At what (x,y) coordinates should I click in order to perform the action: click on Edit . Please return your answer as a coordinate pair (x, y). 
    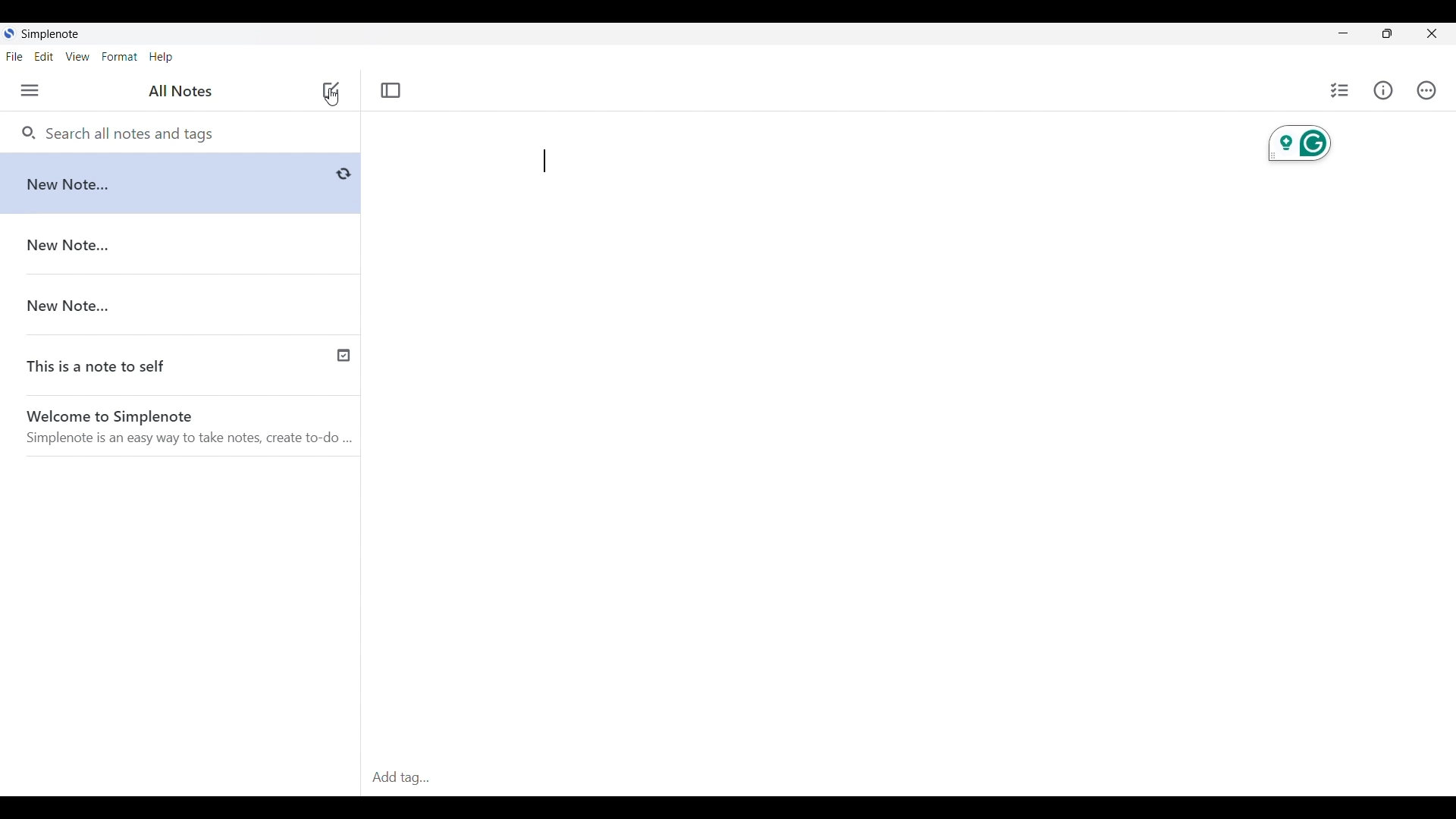
    Looking at the image, I should click on (44, 56).